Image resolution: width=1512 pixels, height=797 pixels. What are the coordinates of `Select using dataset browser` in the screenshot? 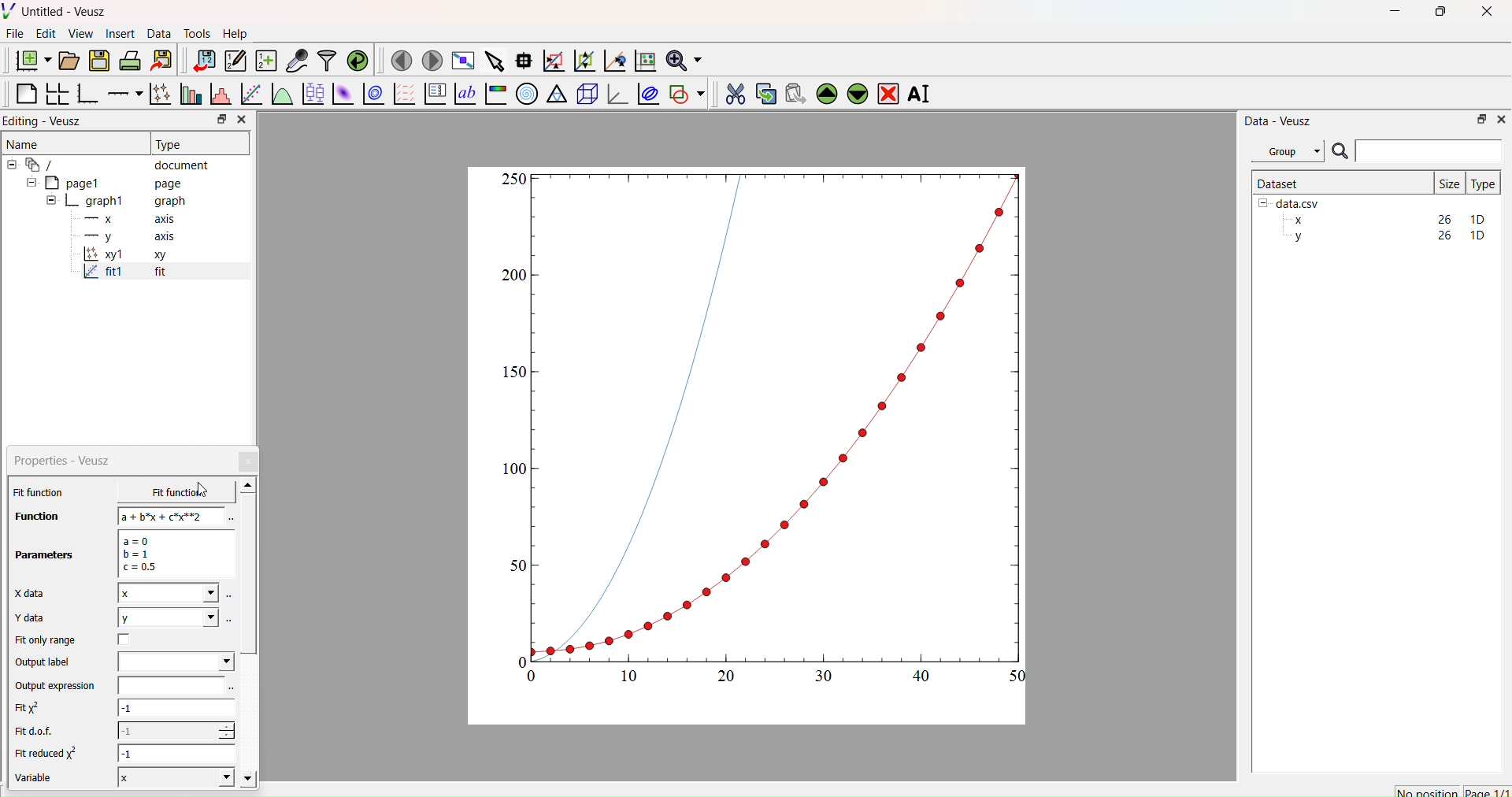 It's located at (229, 519).